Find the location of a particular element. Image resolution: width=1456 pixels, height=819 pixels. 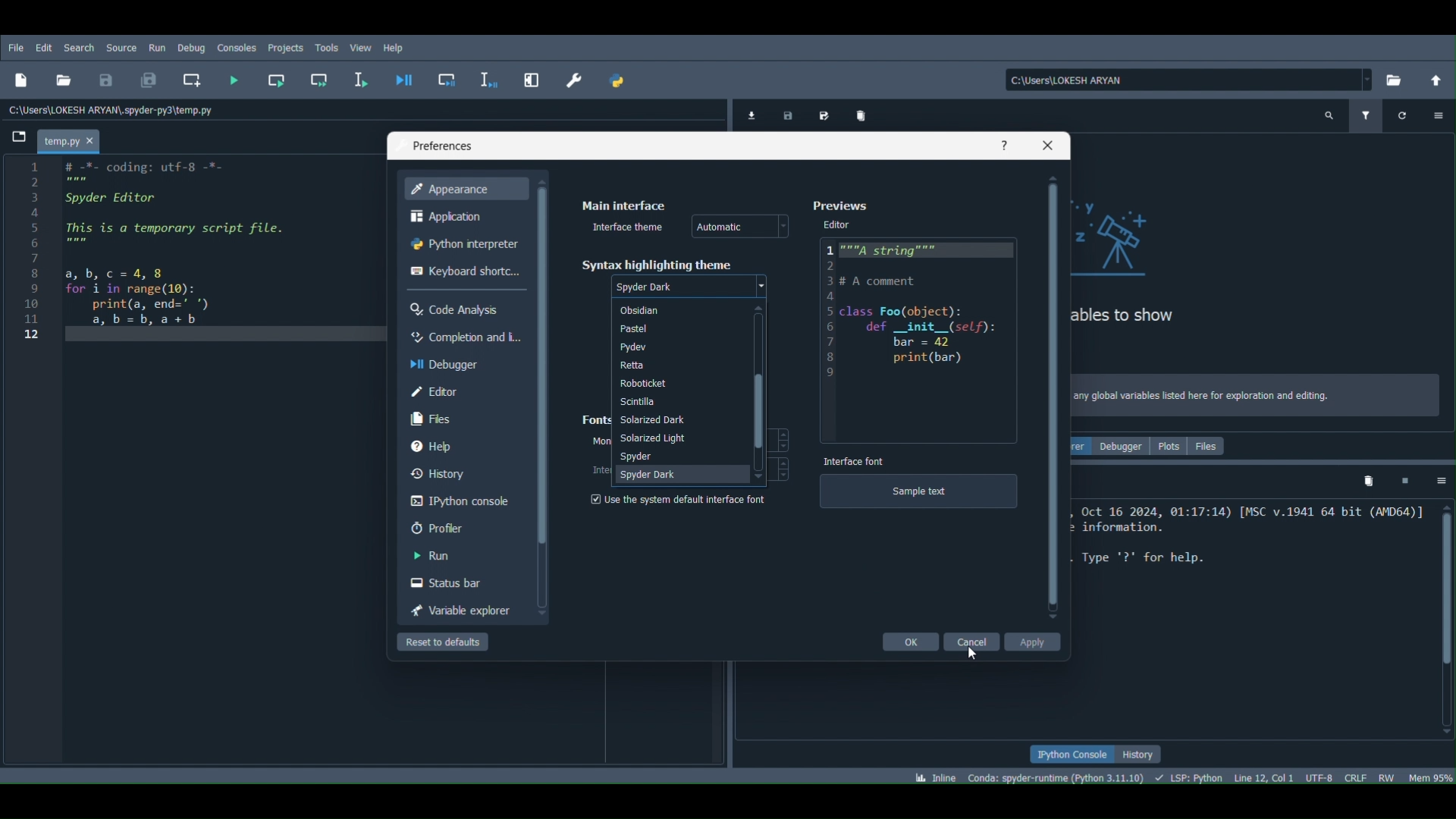

Editor is located at coordinates (469, 392).